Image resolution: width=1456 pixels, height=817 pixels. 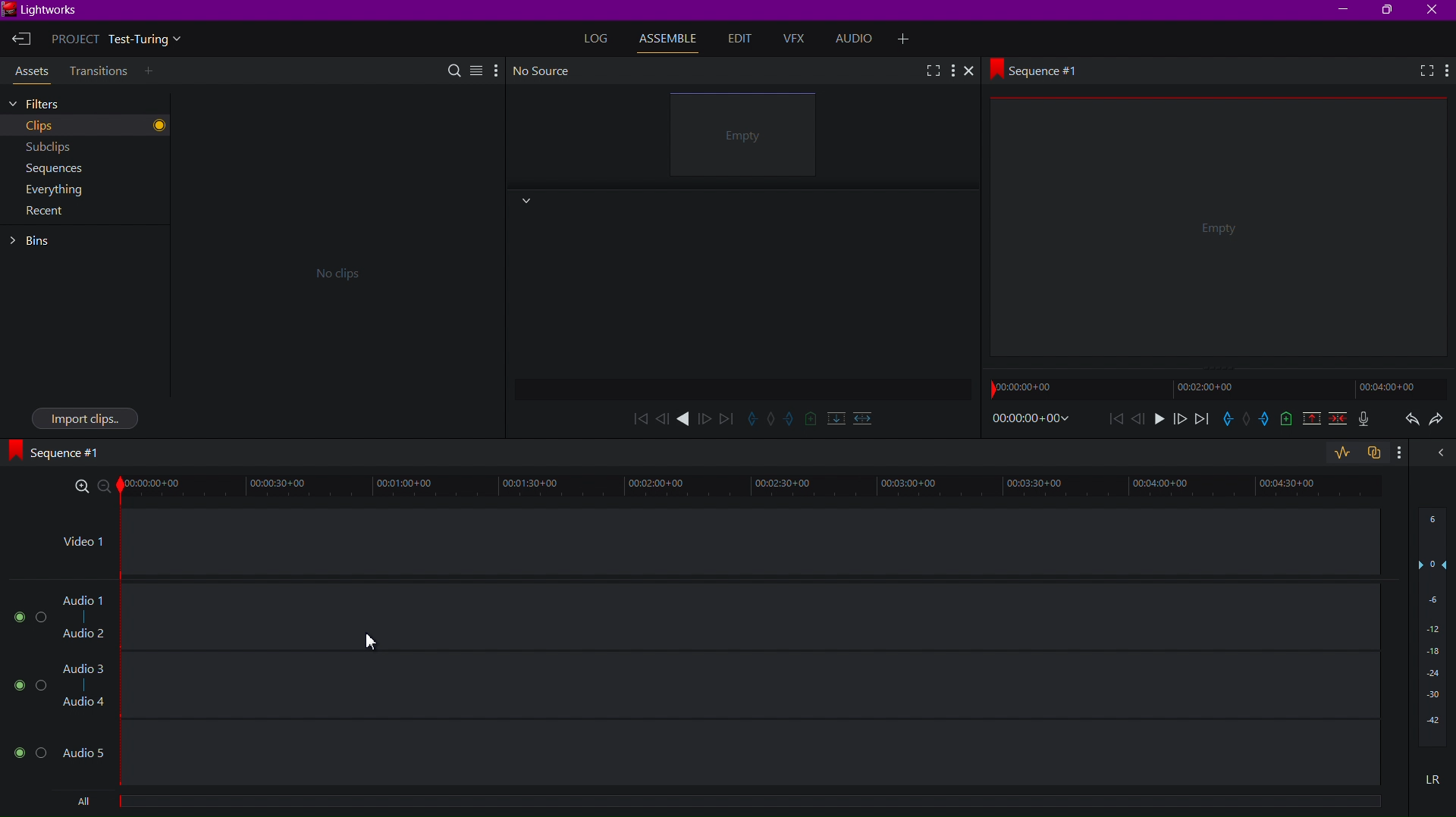 What do you see at coordinates (333, 271) in the screenshot?
I see `No clips` at bounding box center [333, 271].